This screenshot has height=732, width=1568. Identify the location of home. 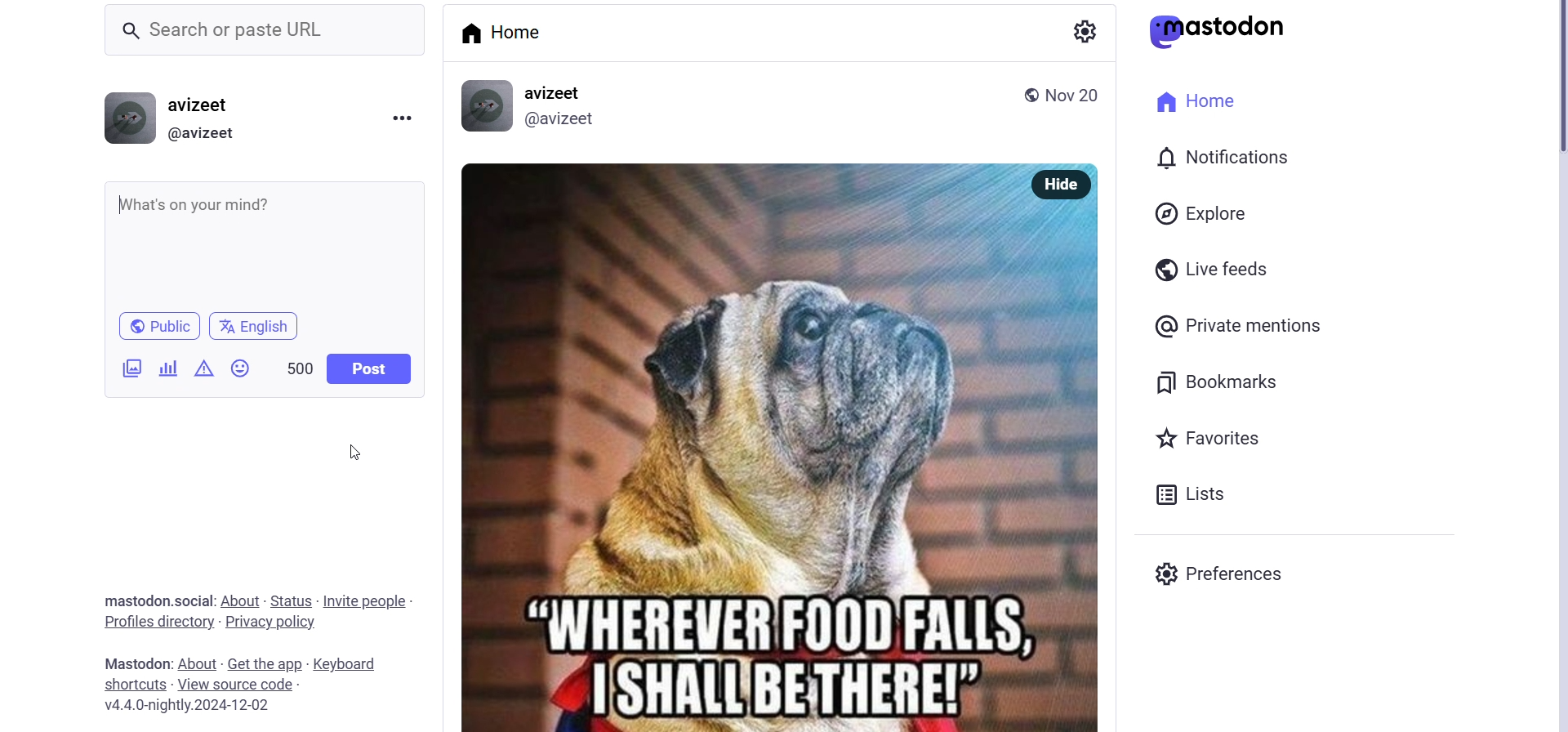
(1189, 100).